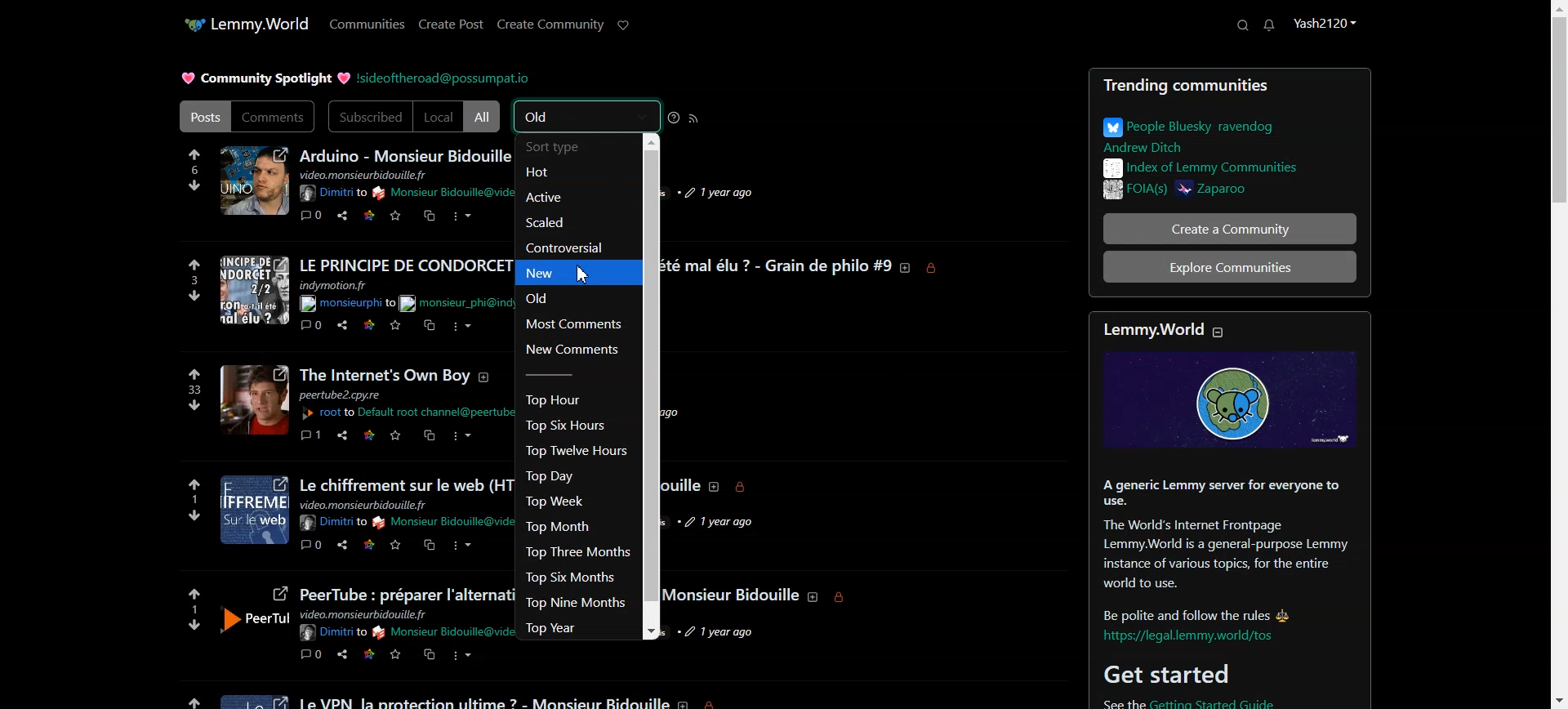 Image resolution: width=1568 pixels, height=709 pixels. Describe the element at coordinates (1226, 330) in the screenshot. I see `Collapse` at that location.